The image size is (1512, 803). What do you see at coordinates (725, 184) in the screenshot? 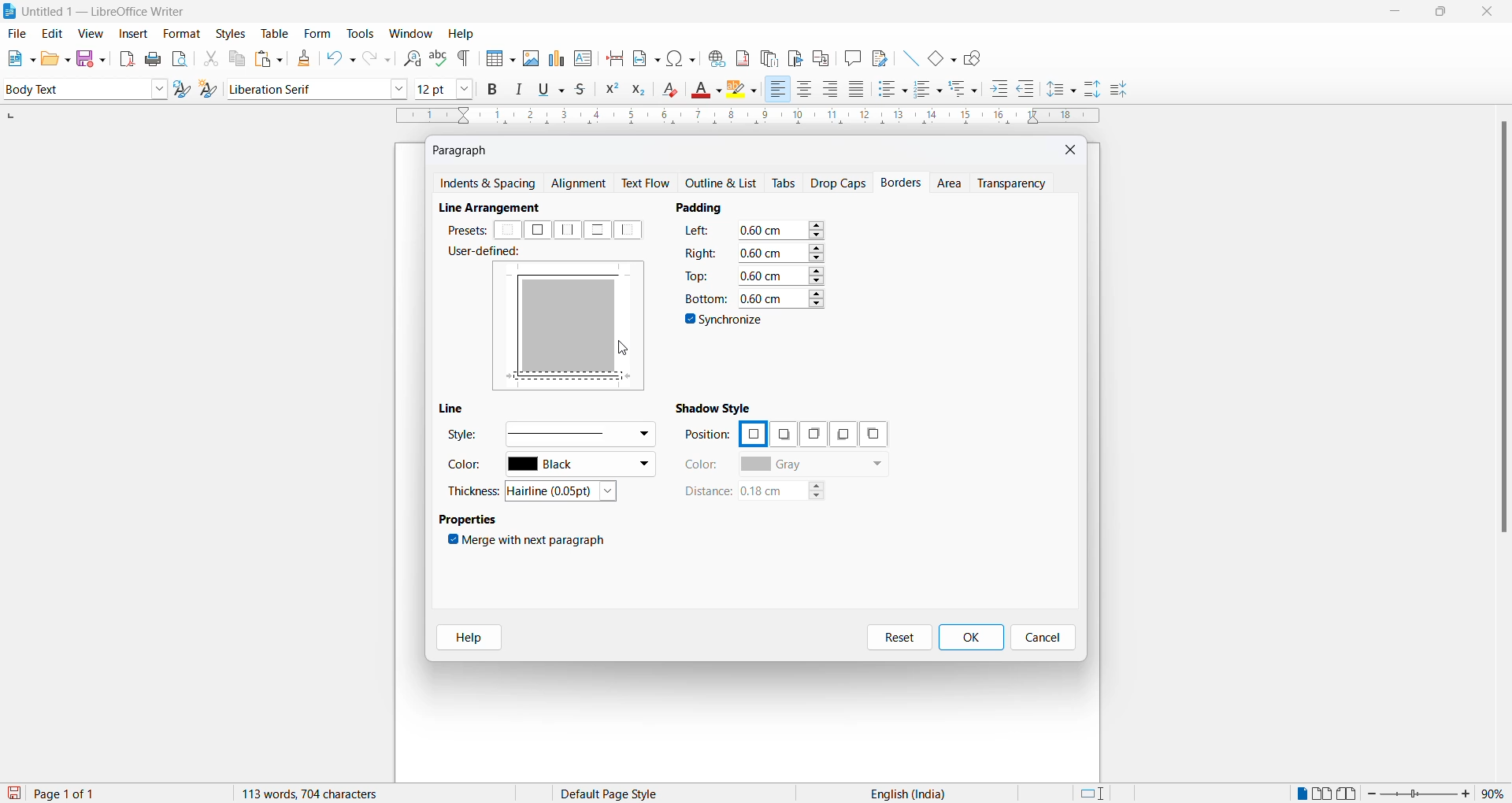
I see `outline` at bounding box center [725, 184].